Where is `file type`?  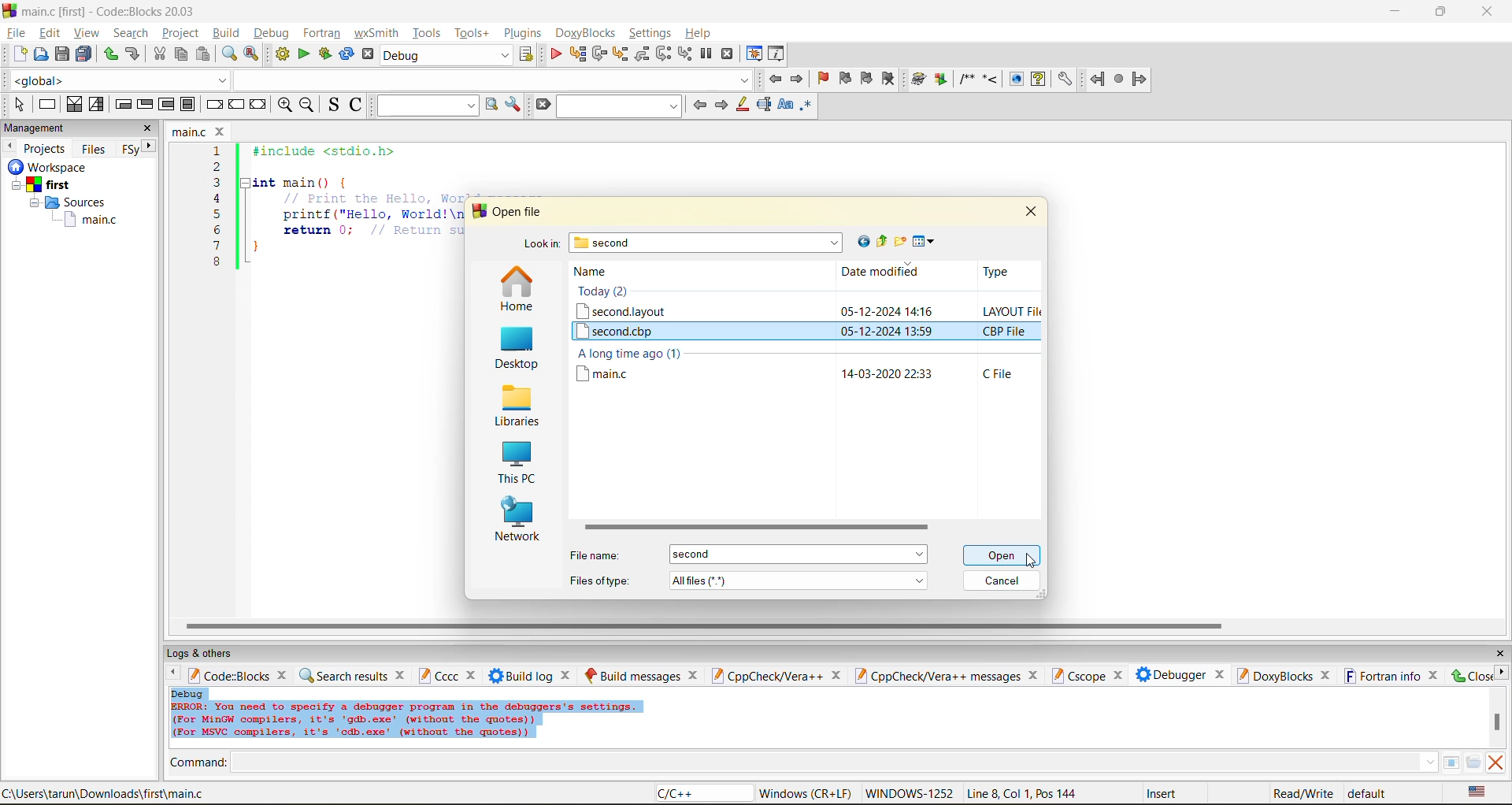
file type is located at coordinates (1012, 310).